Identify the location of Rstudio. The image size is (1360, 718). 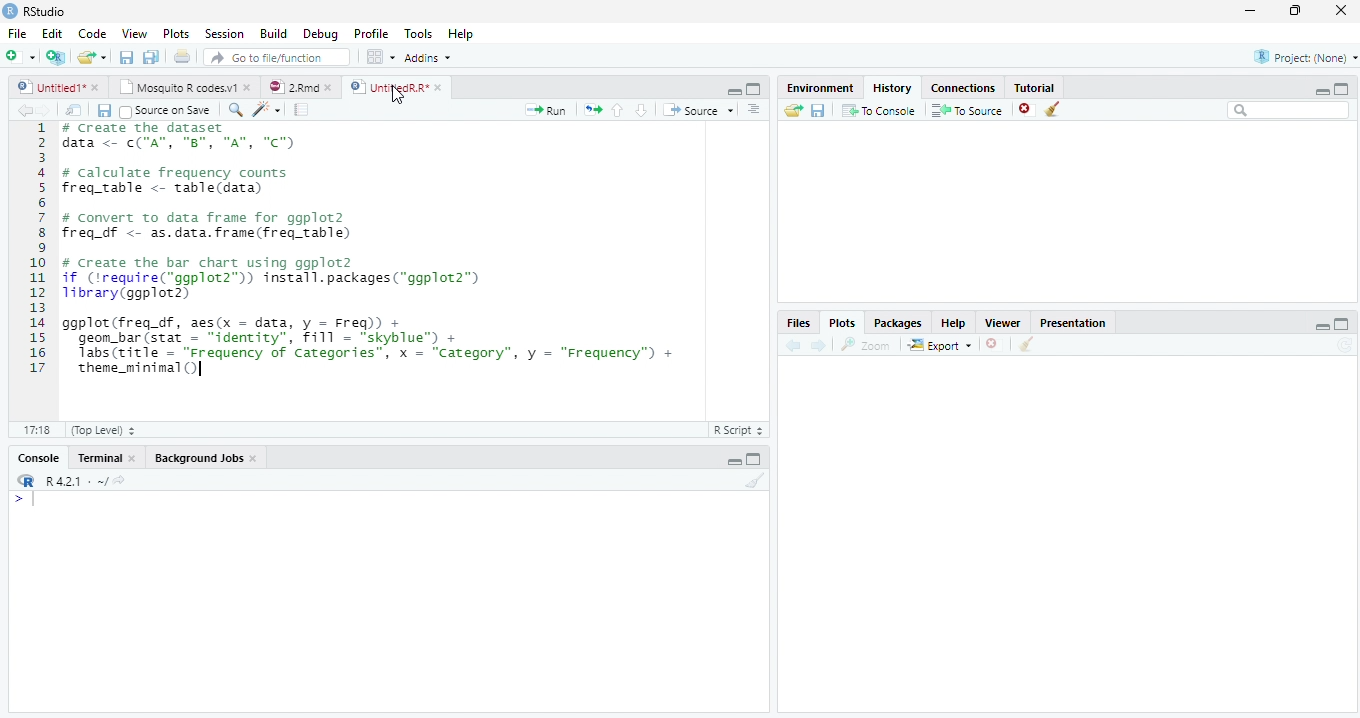
(34, 10).